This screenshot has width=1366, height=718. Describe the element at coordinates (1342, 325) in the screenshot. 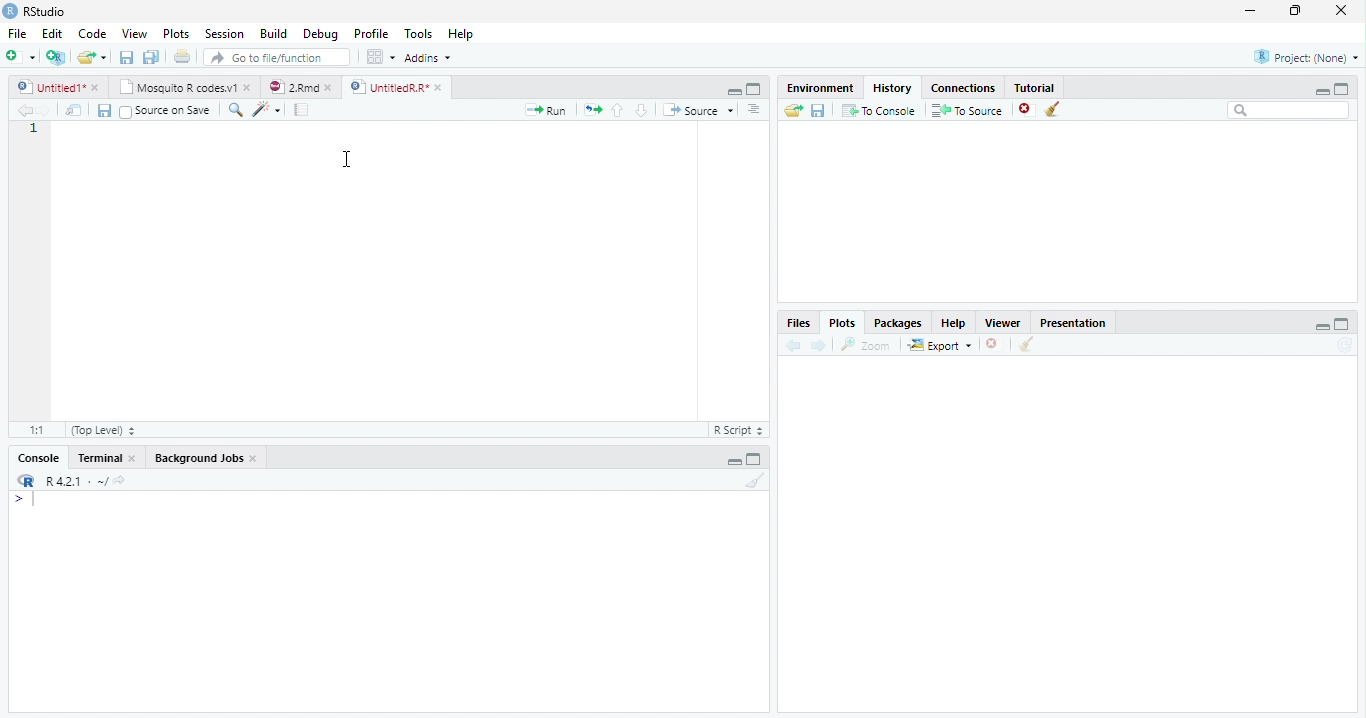

I see `Maximize` at that location.